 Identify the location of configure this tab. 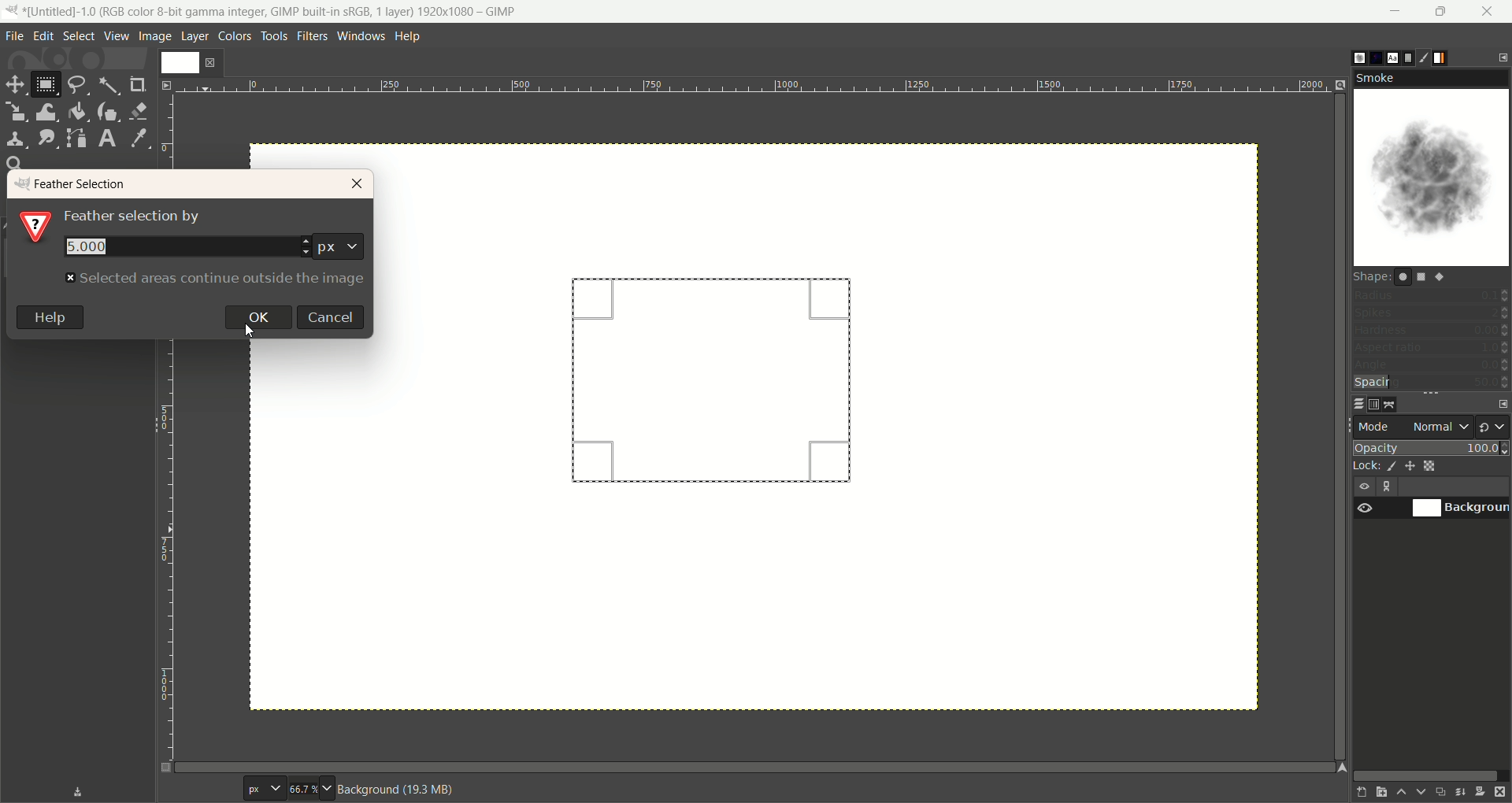
(1503, 402).